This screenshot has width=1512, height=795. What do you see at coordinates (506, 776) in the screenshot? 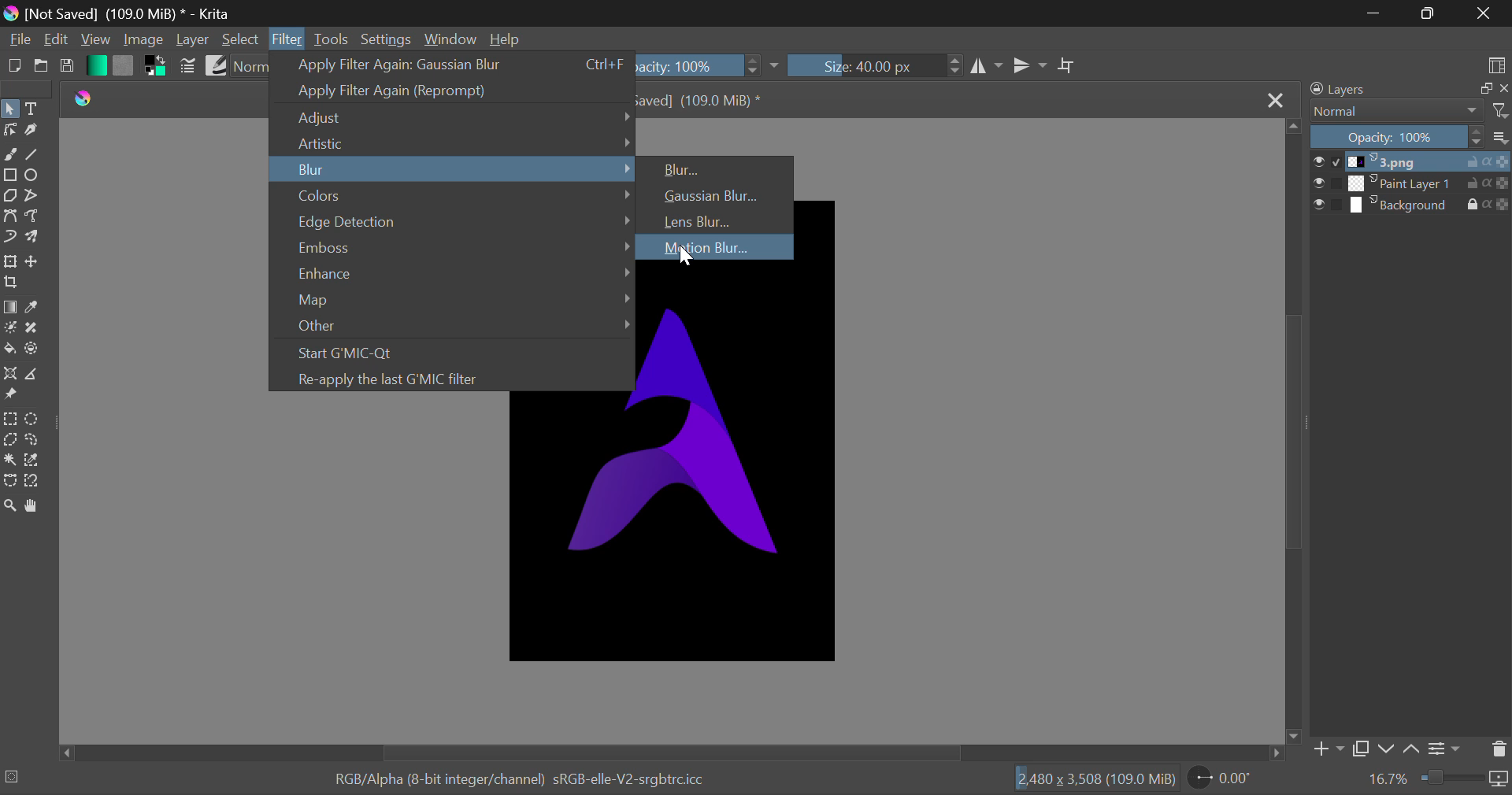
I see `RGB/Alpha (8-bit integer/channel) sRGB-elle-V2-srgbtrc.icc` at bounding box center [506, 776].